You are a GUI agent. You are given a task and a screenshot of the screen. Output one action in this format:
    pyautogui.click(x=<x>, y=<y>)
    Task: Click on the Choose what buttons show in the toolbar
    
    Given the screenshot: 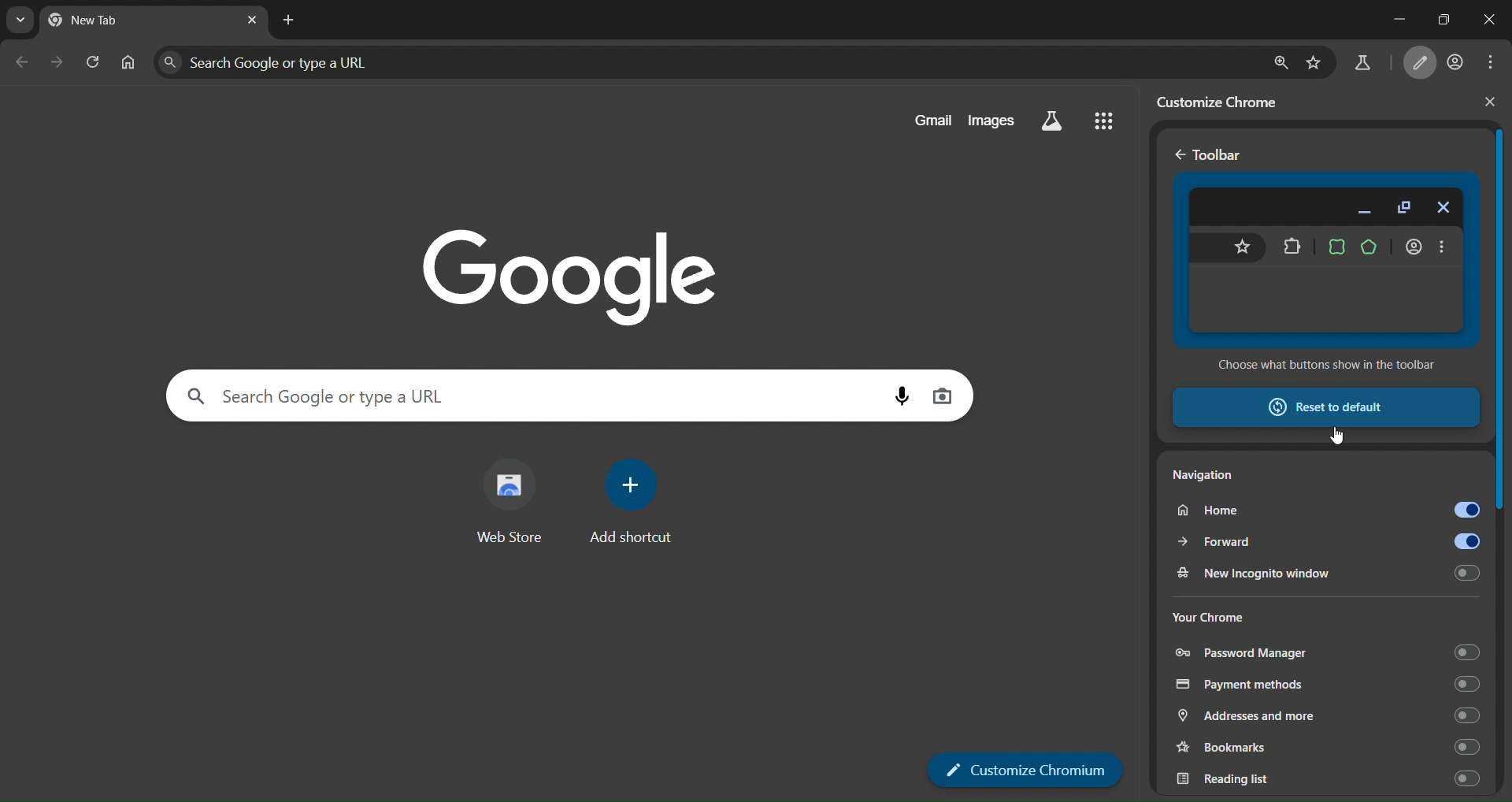 What is the action you would take?
    pyautogui.click(x=1328, y=364)
    